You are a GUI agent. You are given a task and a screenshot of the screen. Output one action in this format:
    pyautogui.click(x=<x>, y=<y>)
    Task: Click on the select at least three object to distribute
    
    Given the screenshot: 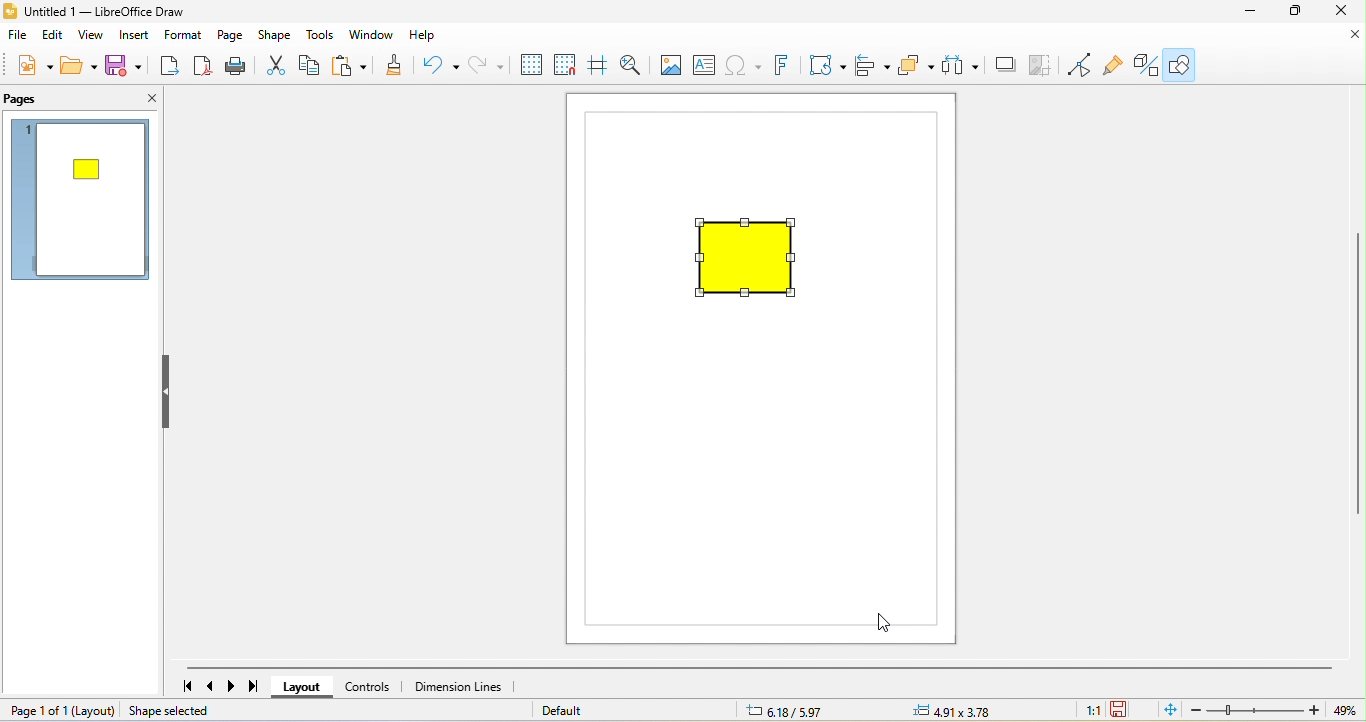 What is the action you would take?
    pyautogui.click(x=963, y=66)
    